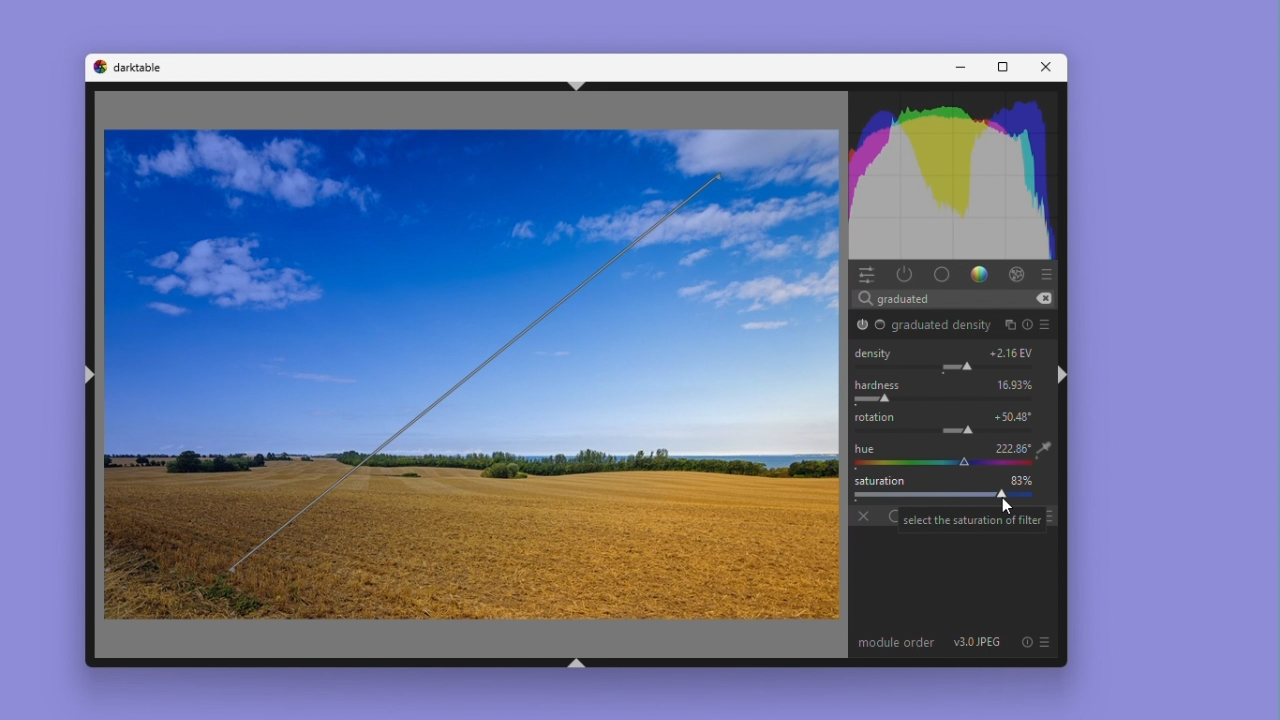 This screenshot has height=720, width=1280. What do you see at coordinates (1050, 272) in the screenshot?
I see `presets` at bounding box center [1050, 272].